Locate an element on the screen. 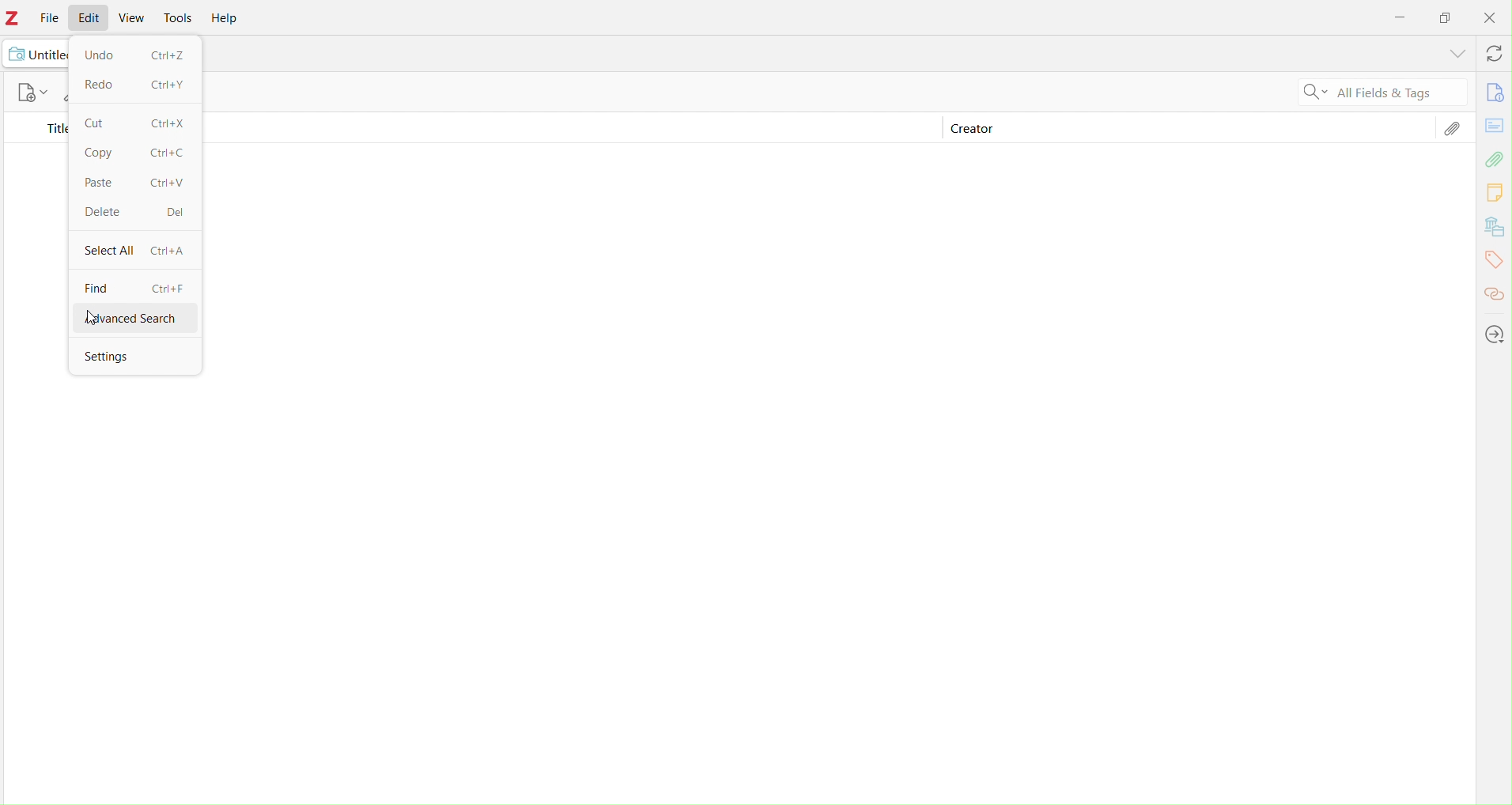  Crtl is located at coordinates (138, 123).